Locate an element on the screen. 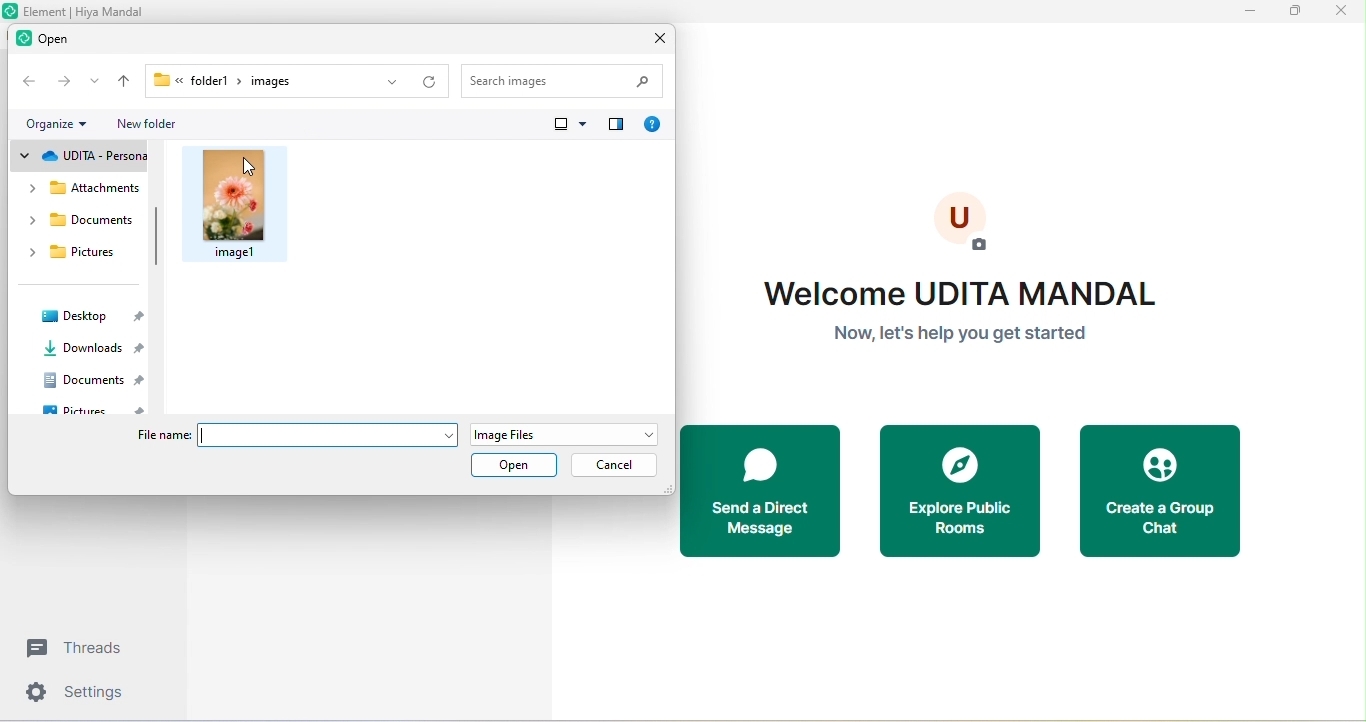  hide is located at coordinates (154, 238).